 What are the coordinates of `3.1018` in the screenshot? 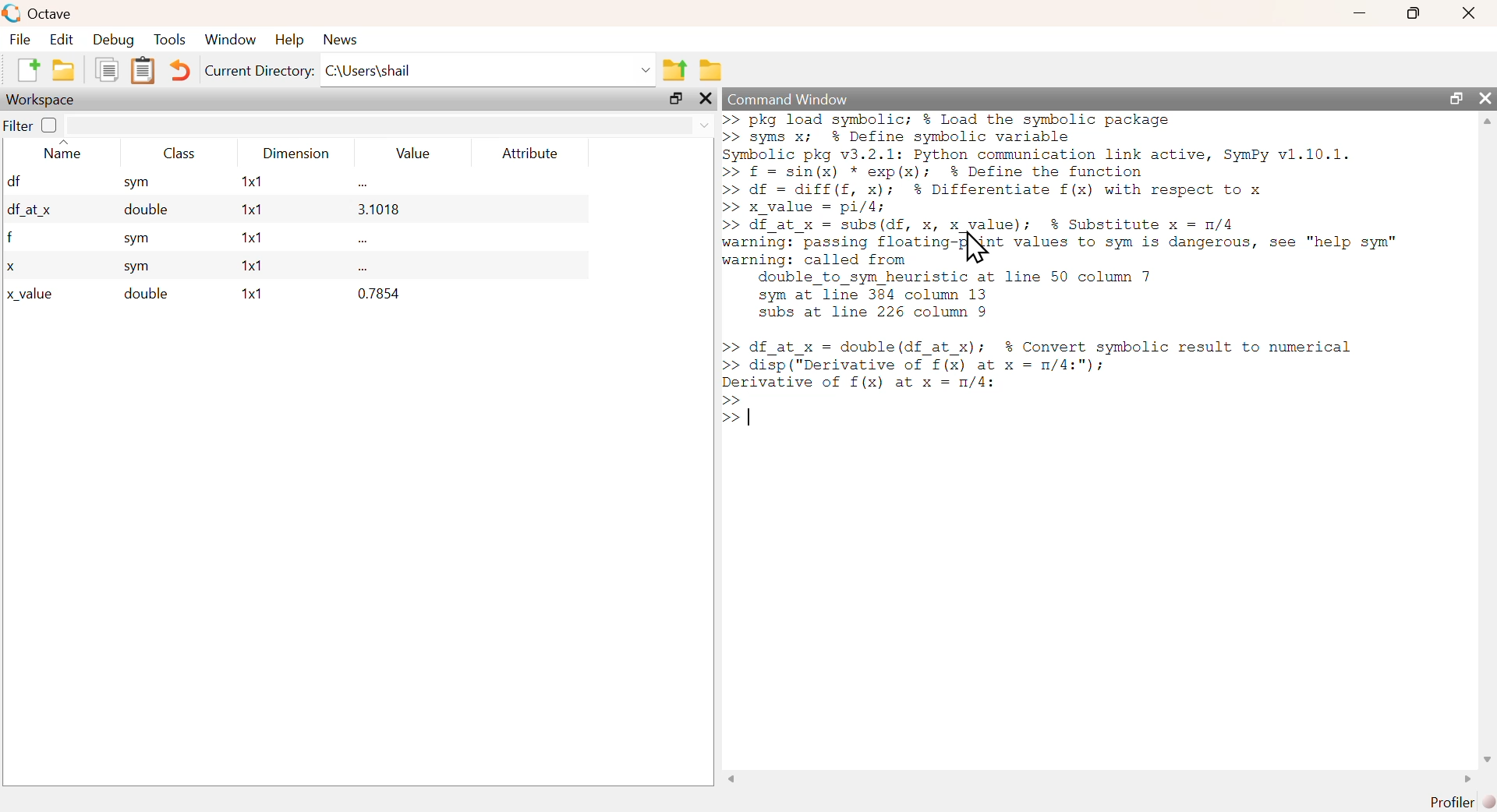 It's located at (379, 210).